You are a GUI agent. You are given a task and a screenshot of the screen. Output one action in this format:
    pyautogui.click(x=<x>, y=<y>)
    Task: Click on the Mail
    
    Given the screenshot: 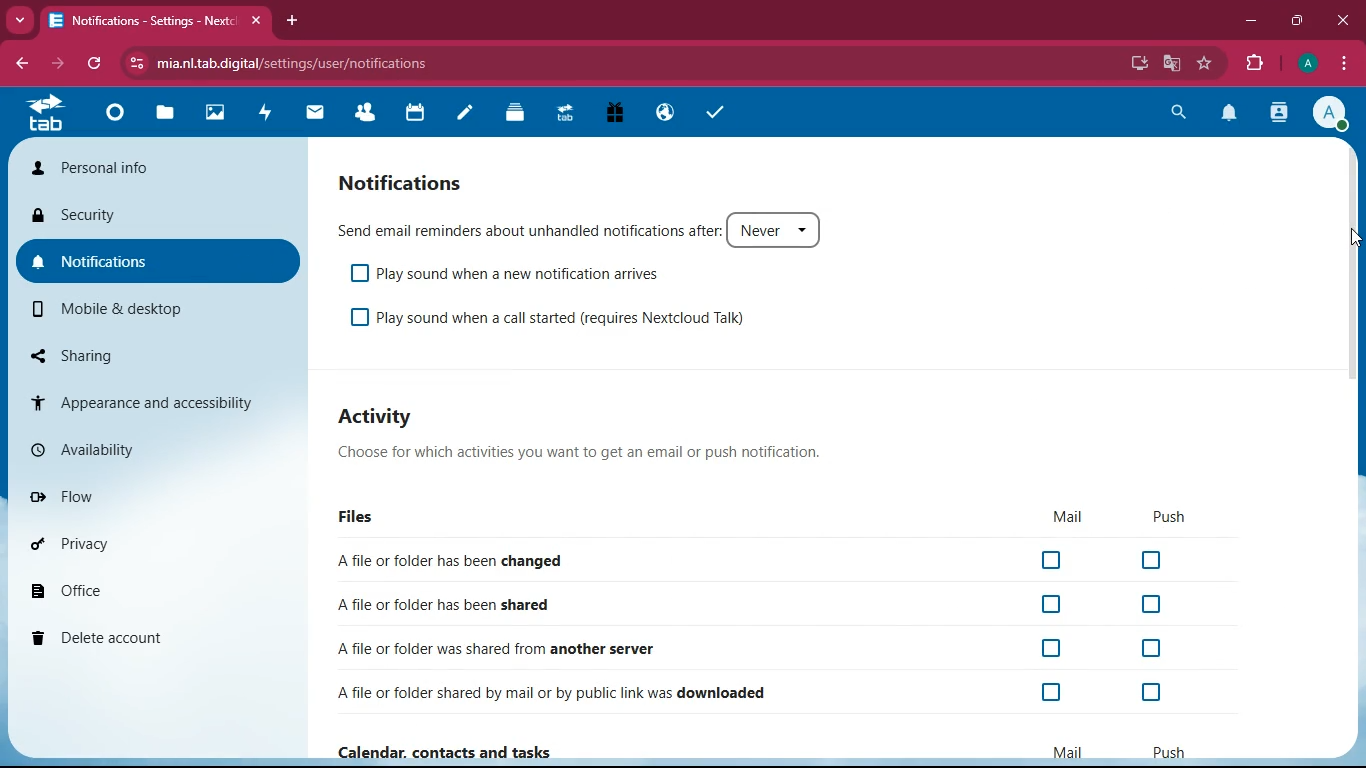 What is the action you would take?
    pyautogui.click(x=1065, y=749)
    